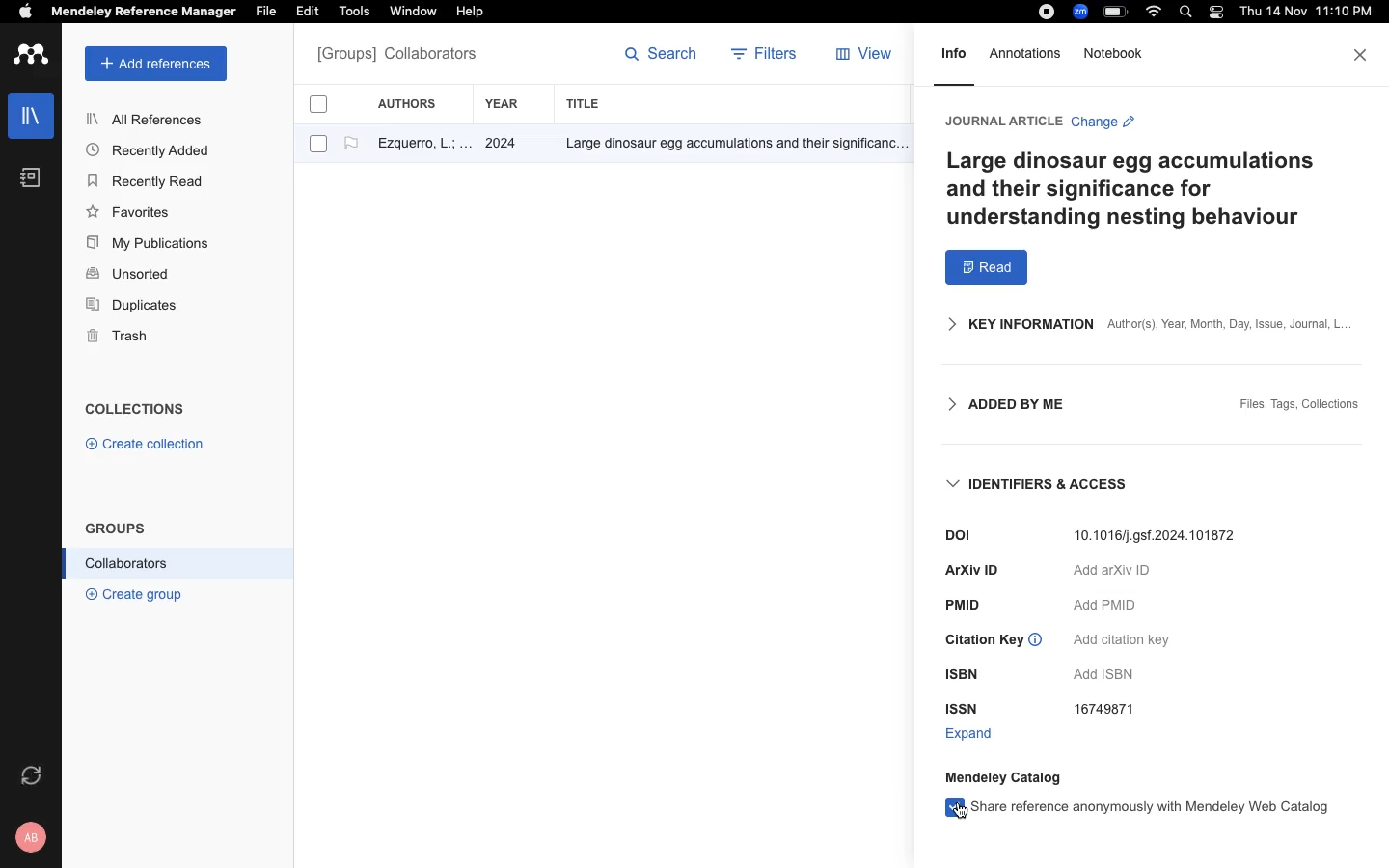 This screenshot has height=868, width=1389. What do you see at coordinates (957, 813) in the screenshot?
I see `cursor` at bounding box center [957, 813].